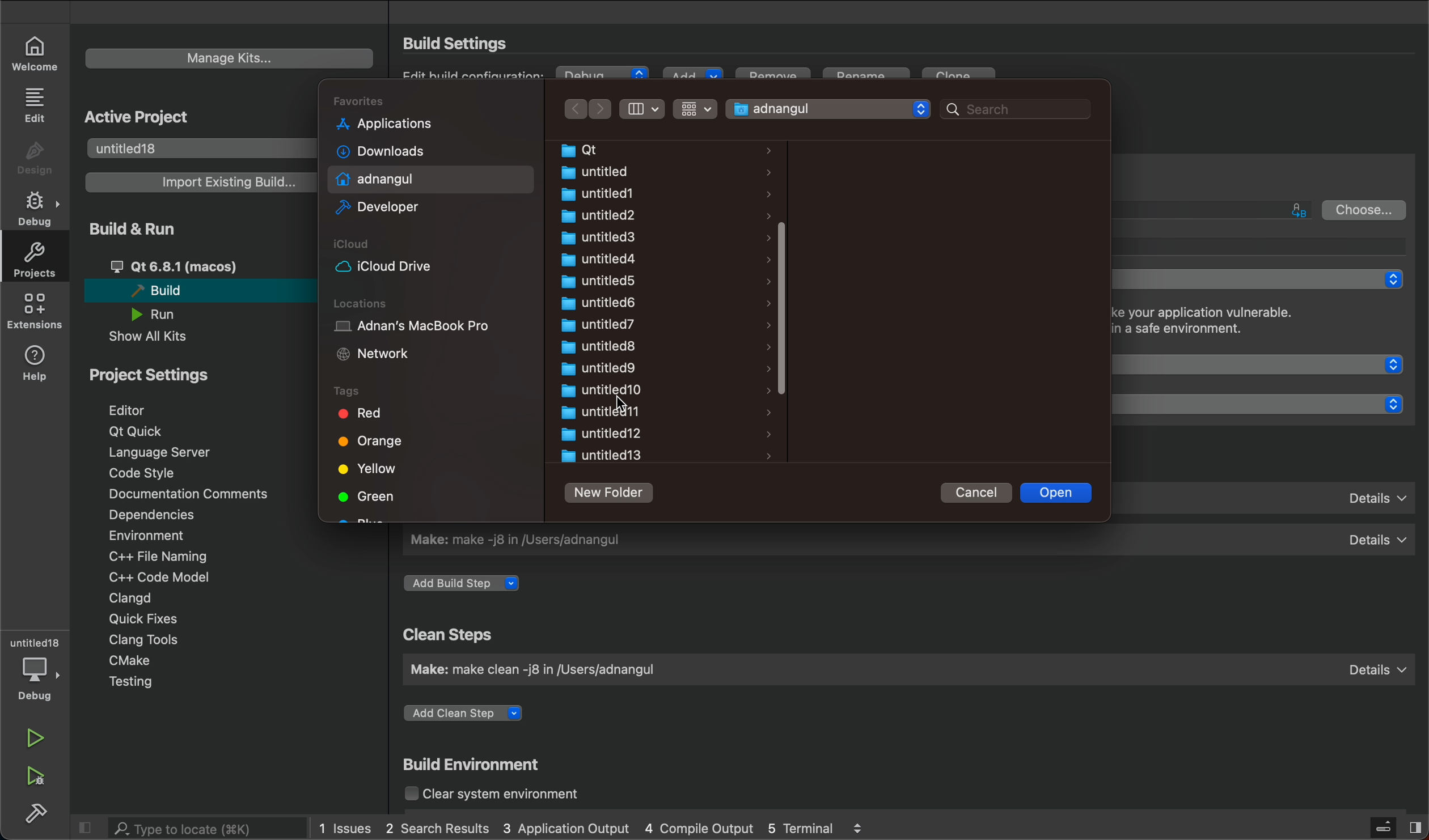  What do you see at coordinates (377, 149) in the screenshot?
I see `Downloads` at bounding box center [377, 149].